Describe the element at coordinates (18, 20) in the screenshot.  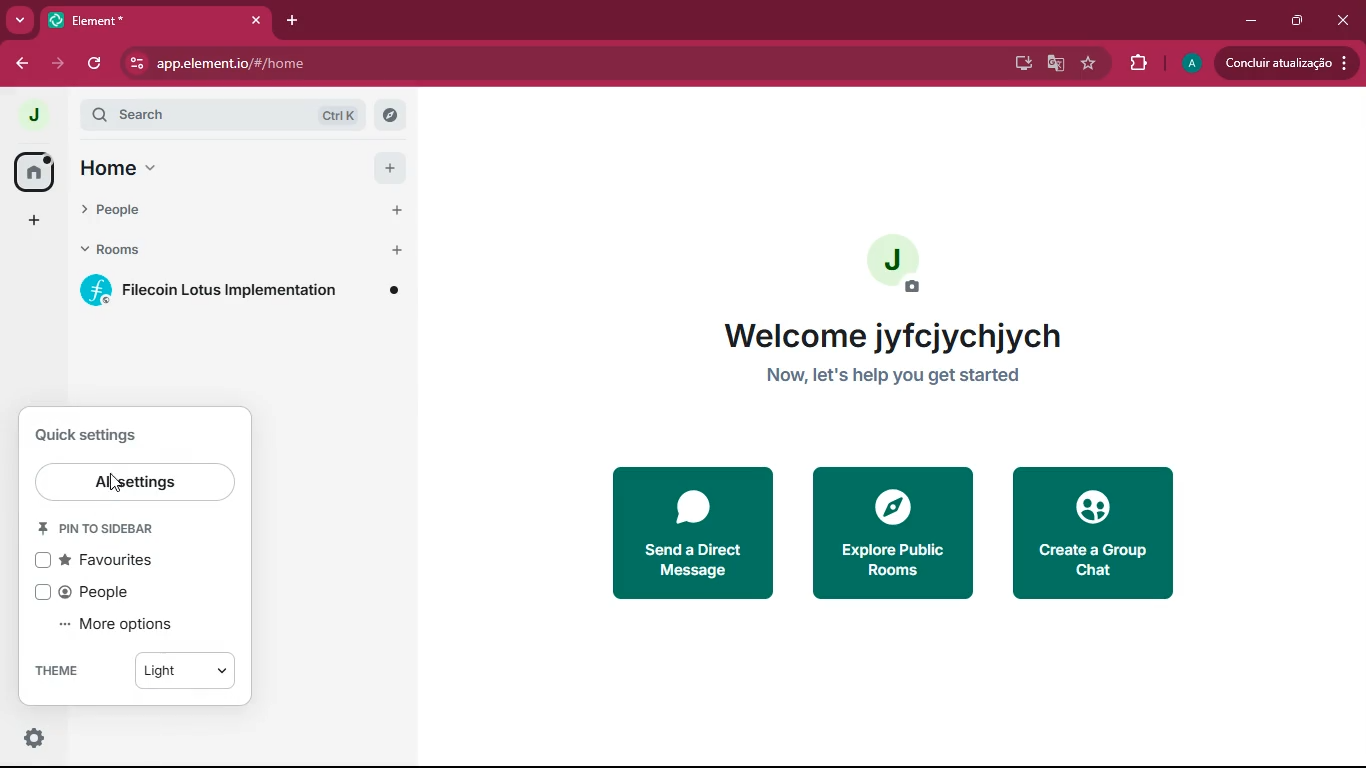
I see `more` at that location.